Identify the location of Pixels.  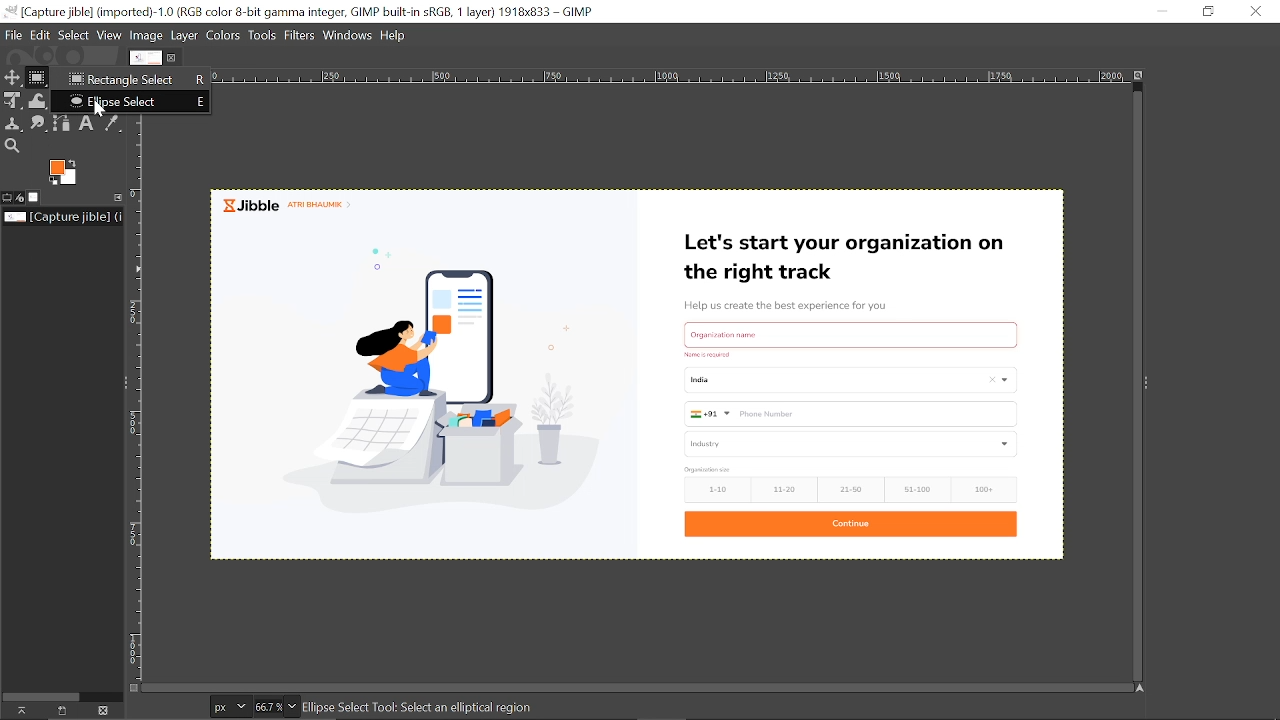
(227, 708).